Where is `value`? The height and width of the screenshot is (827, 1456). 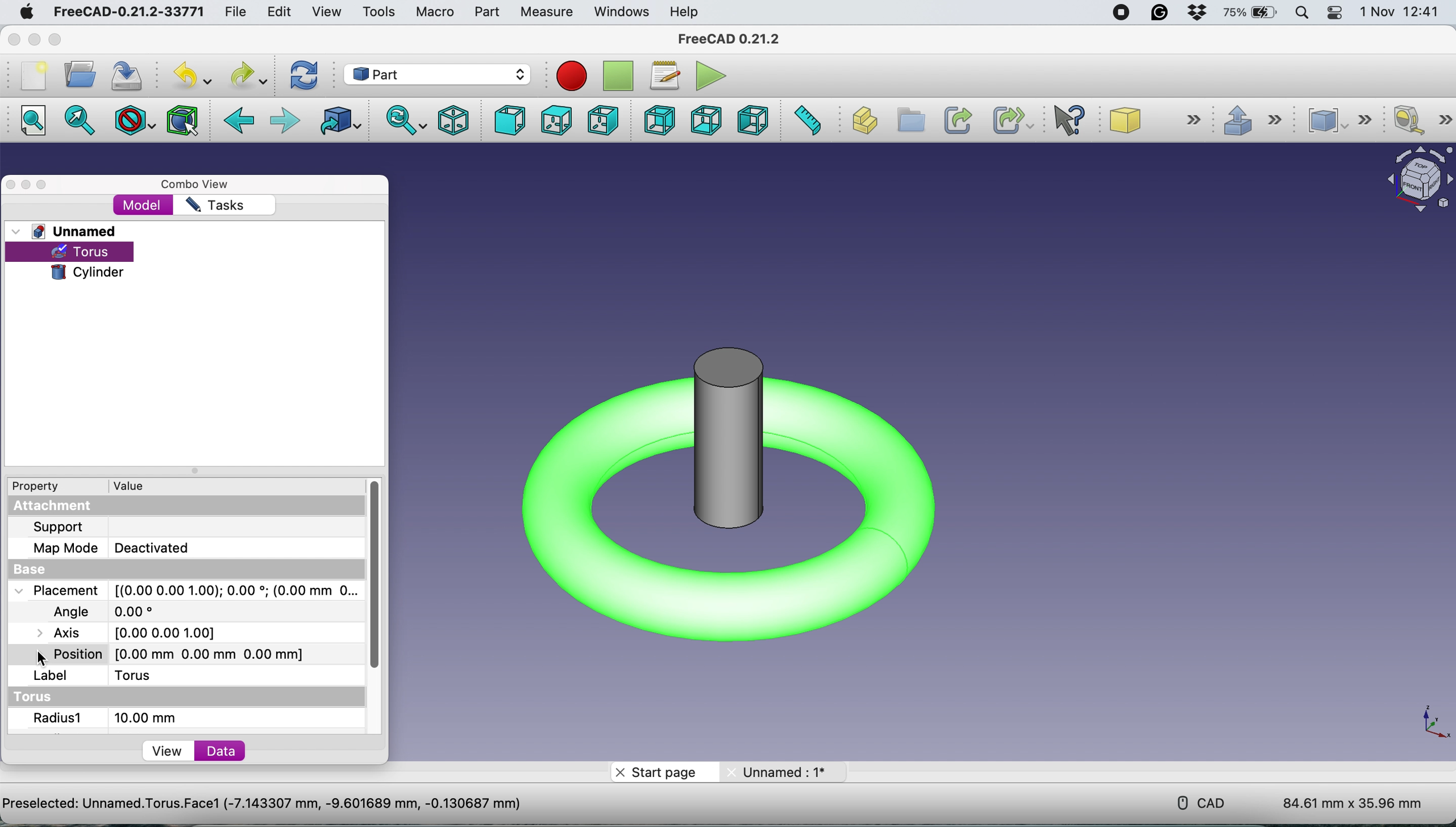
value is located at coordinates (146, 485).